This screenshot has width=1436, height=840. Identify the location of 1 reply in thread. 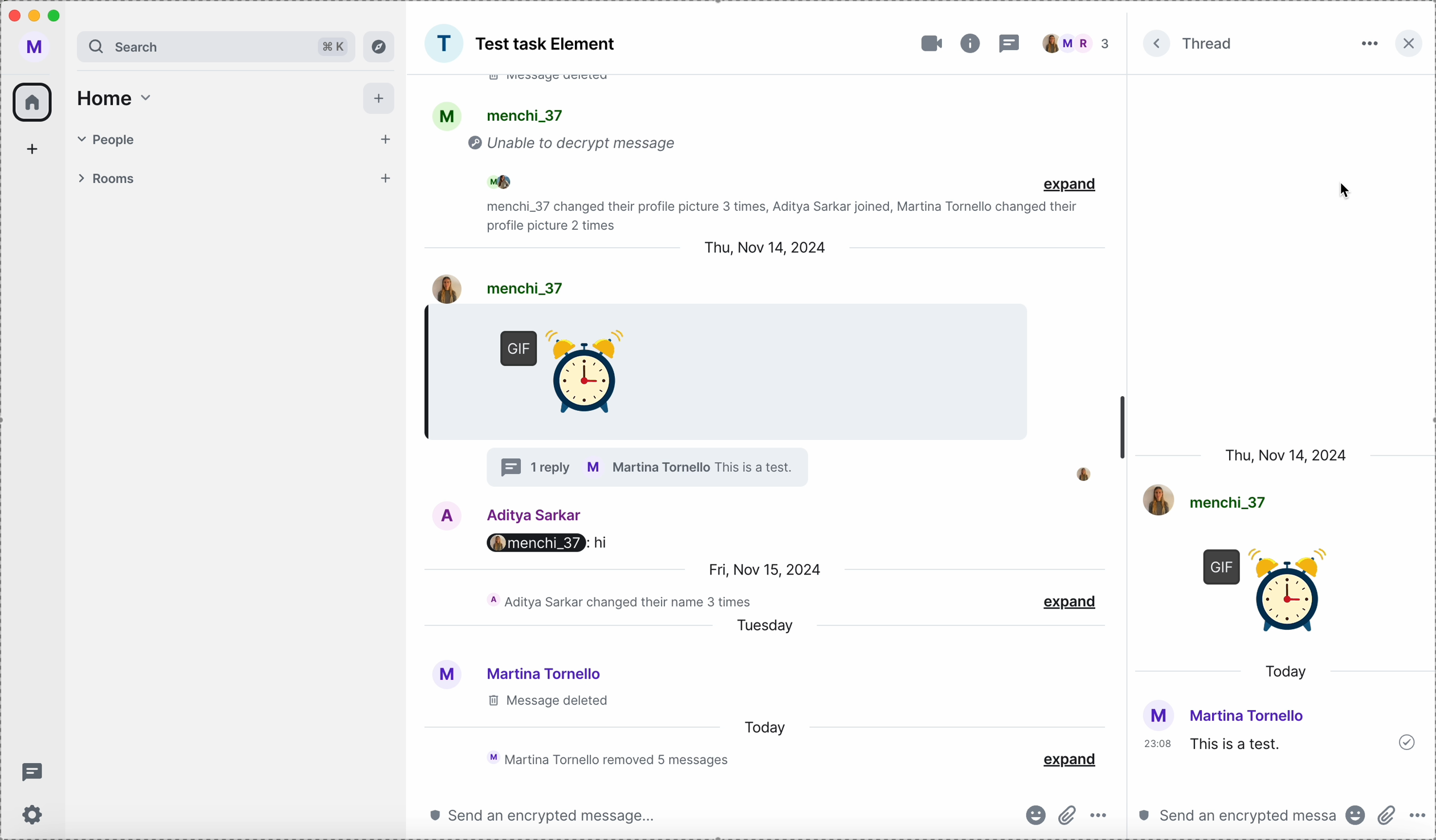
(644, 466).